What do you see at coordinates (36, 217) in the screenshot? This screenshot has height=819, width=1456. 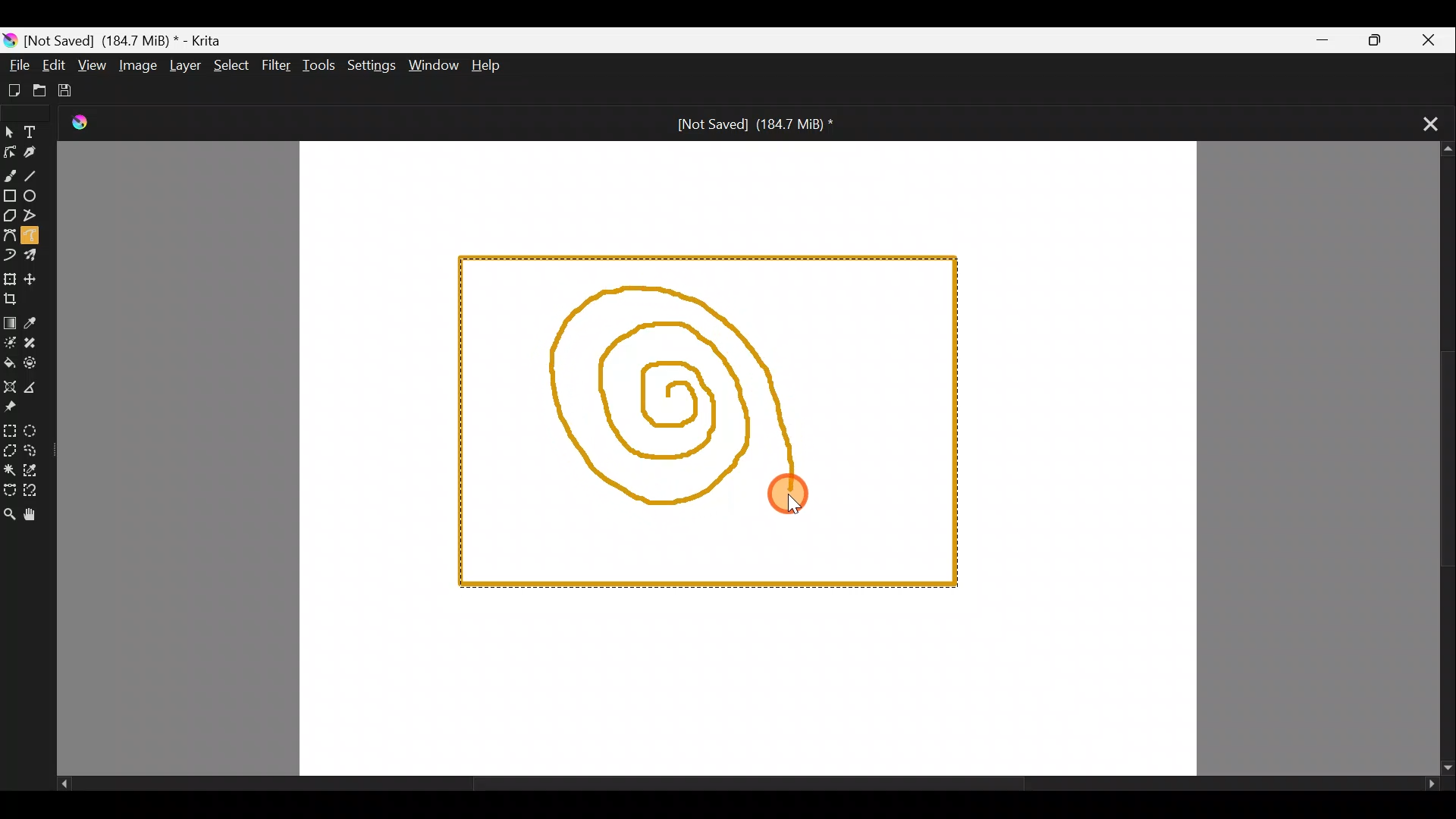 I see `Polyline tool` at bounding box center [36, 217].